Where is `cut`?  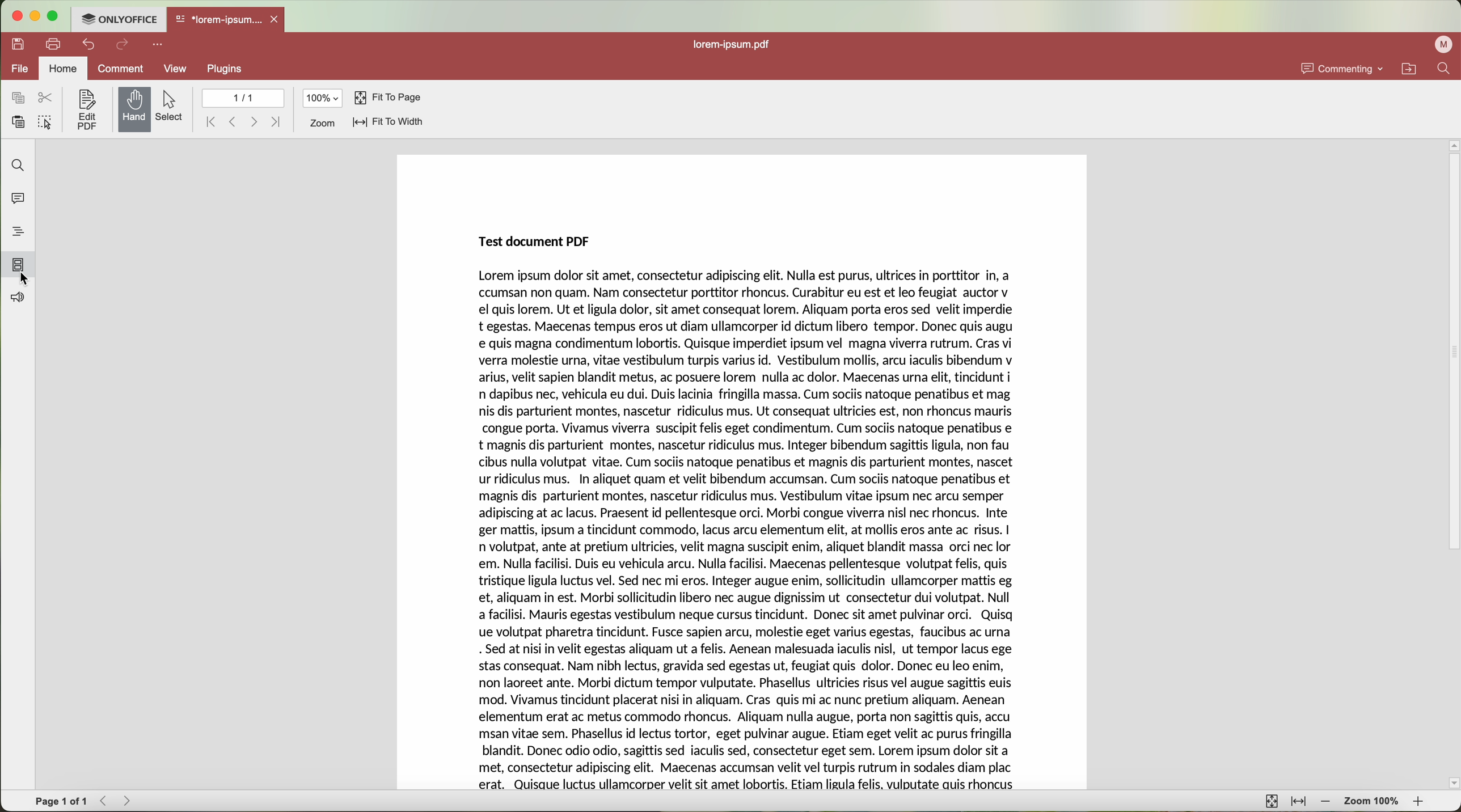
cut is located at coordinates (47, 98).